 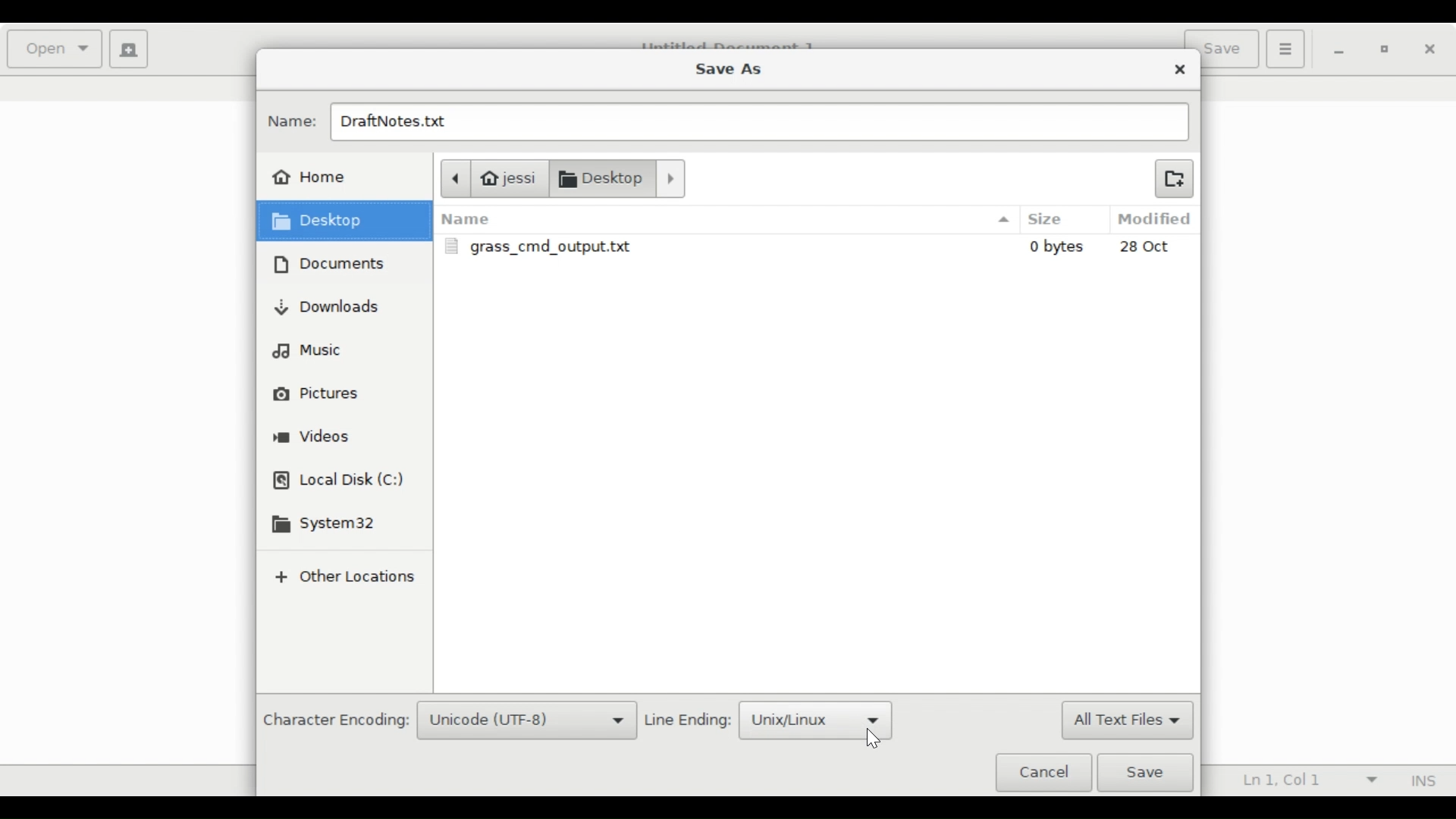 What do you see at coordinates (328, 525) in the screenshot?
I see `System32` at bounding box center [328, 525].